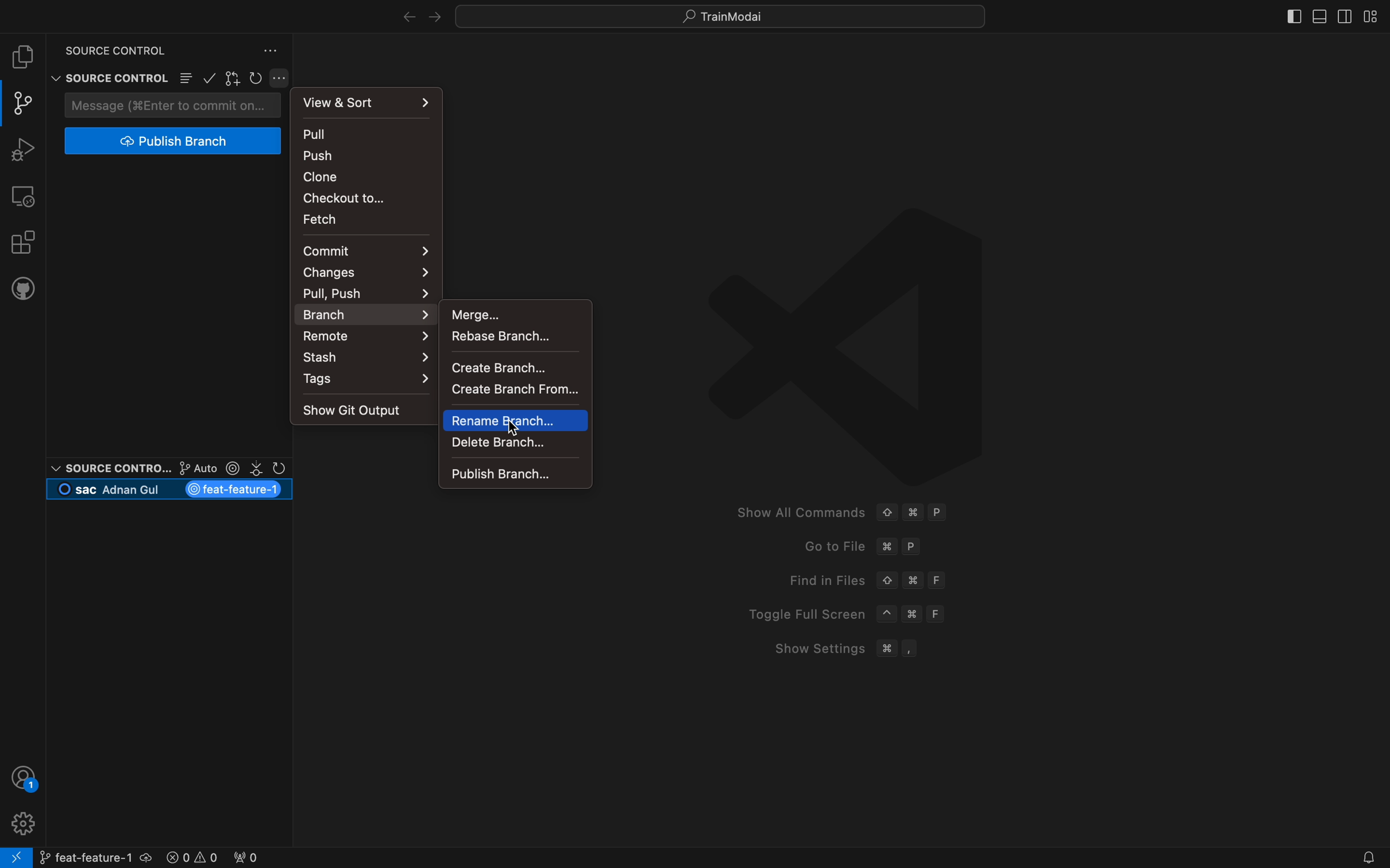 The image size is (1390, 868). What do you see at coordinates (912, 648) in the screenshot?
I see `,` at bounding box center [912, 648].